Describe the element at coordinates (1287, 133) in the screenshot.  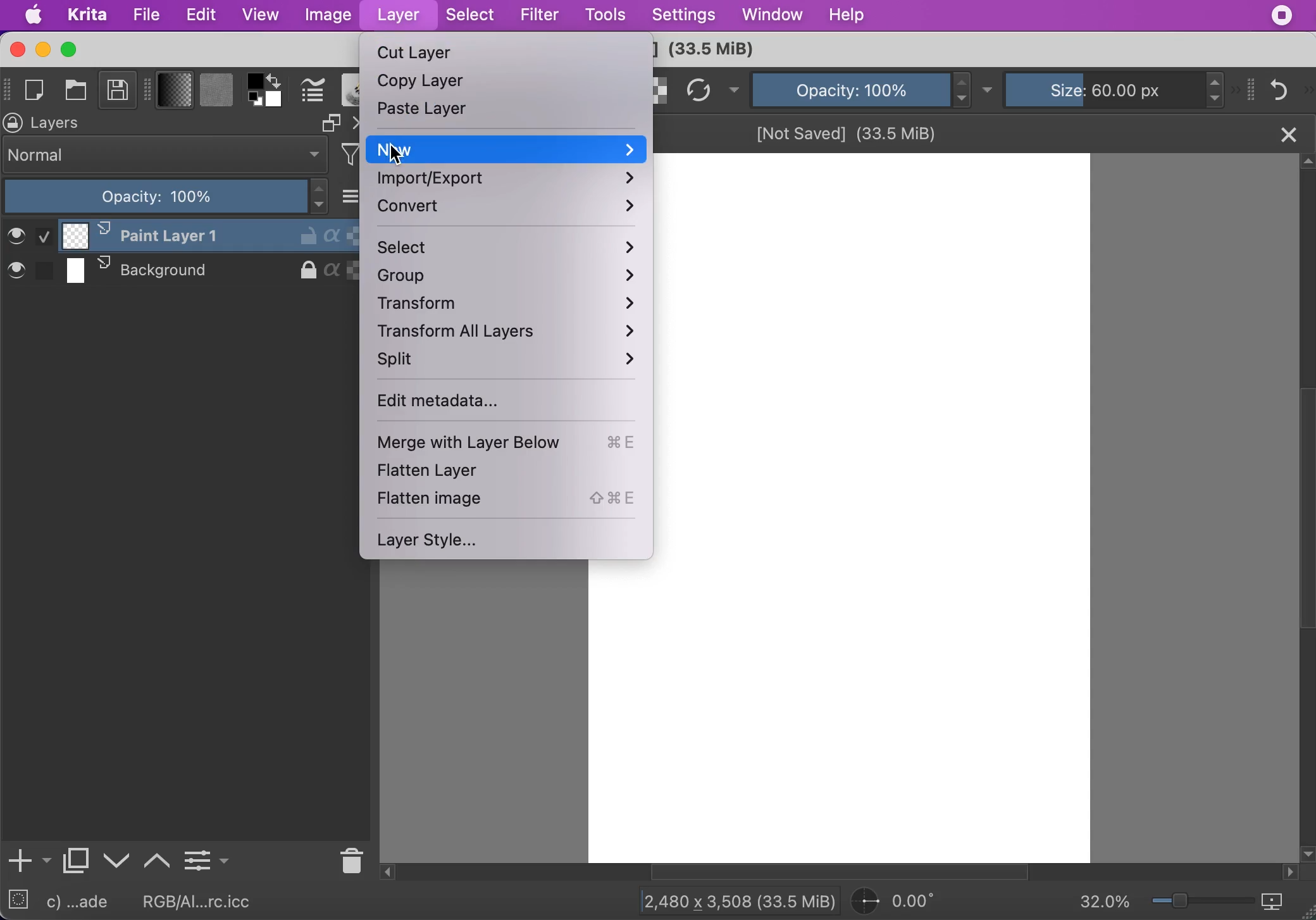
I see `close` at that location.